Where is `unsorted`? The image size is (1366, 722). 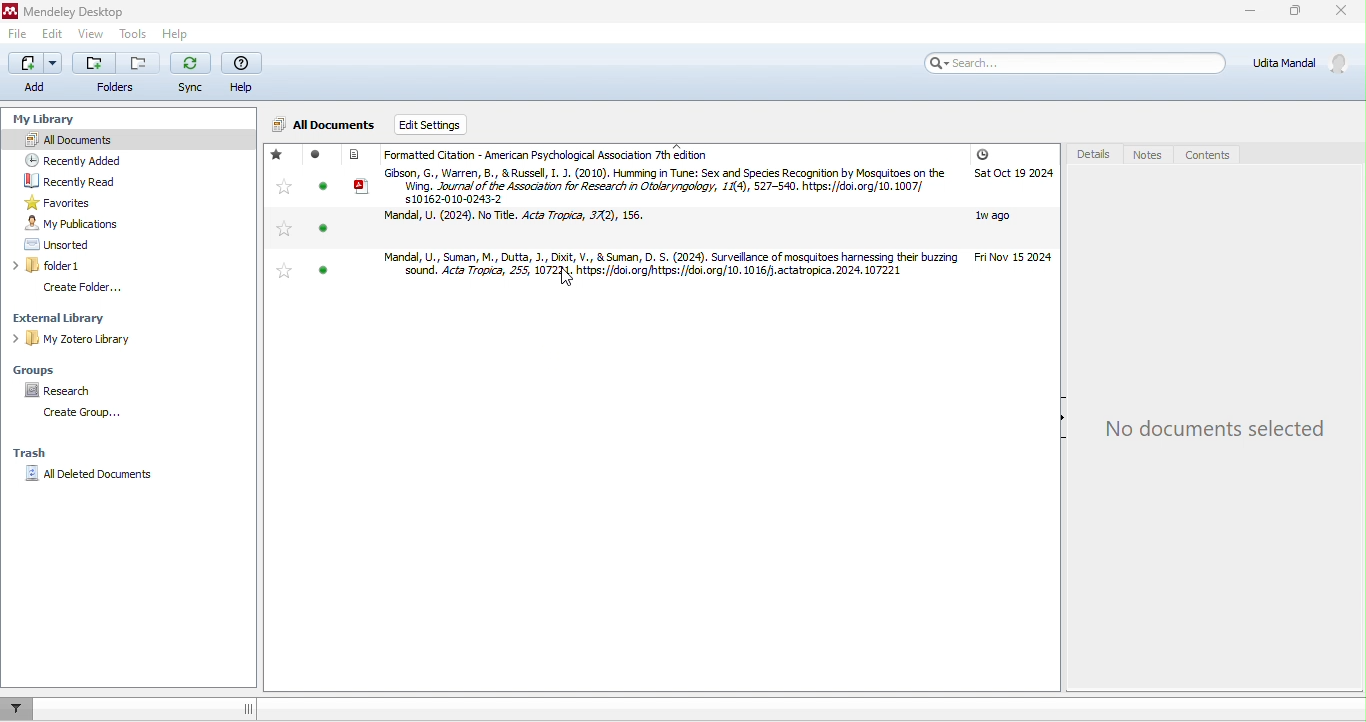 unsorted is located at coordinates (103, 245).